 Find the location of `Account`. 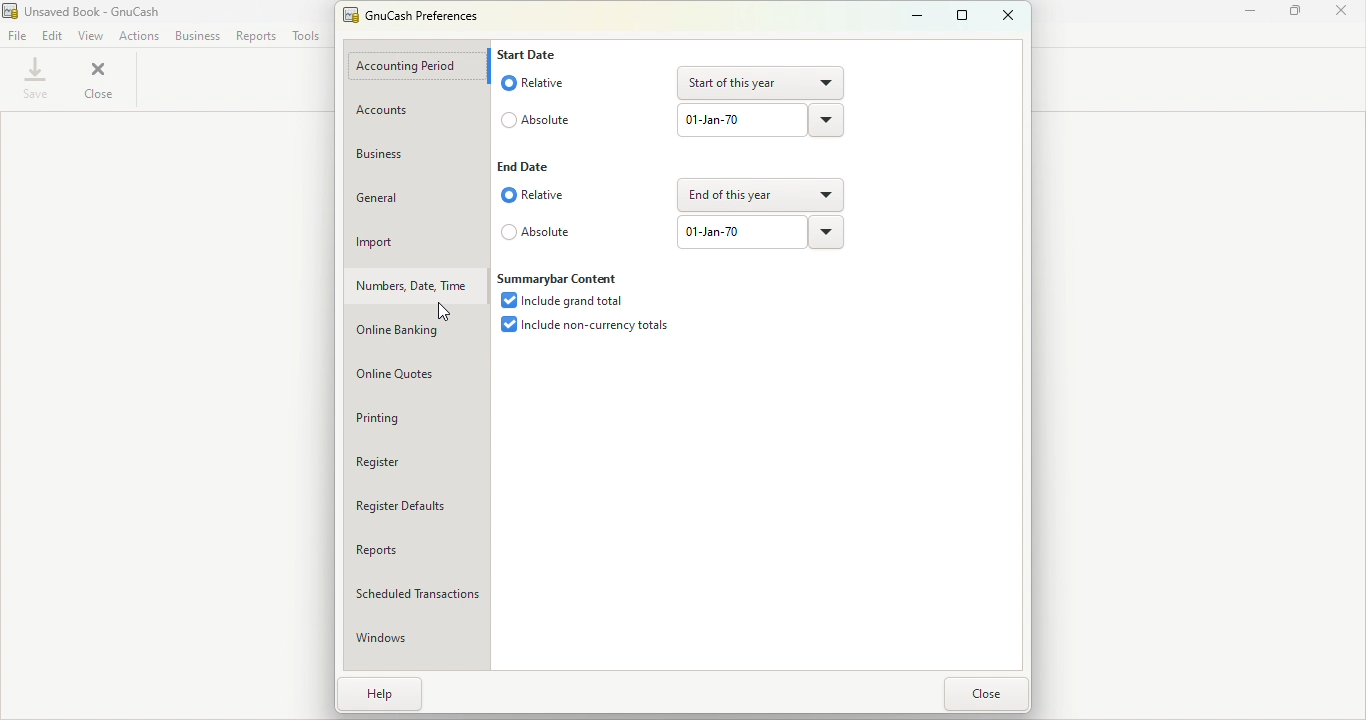

Account is located at coordinates (418, 111).